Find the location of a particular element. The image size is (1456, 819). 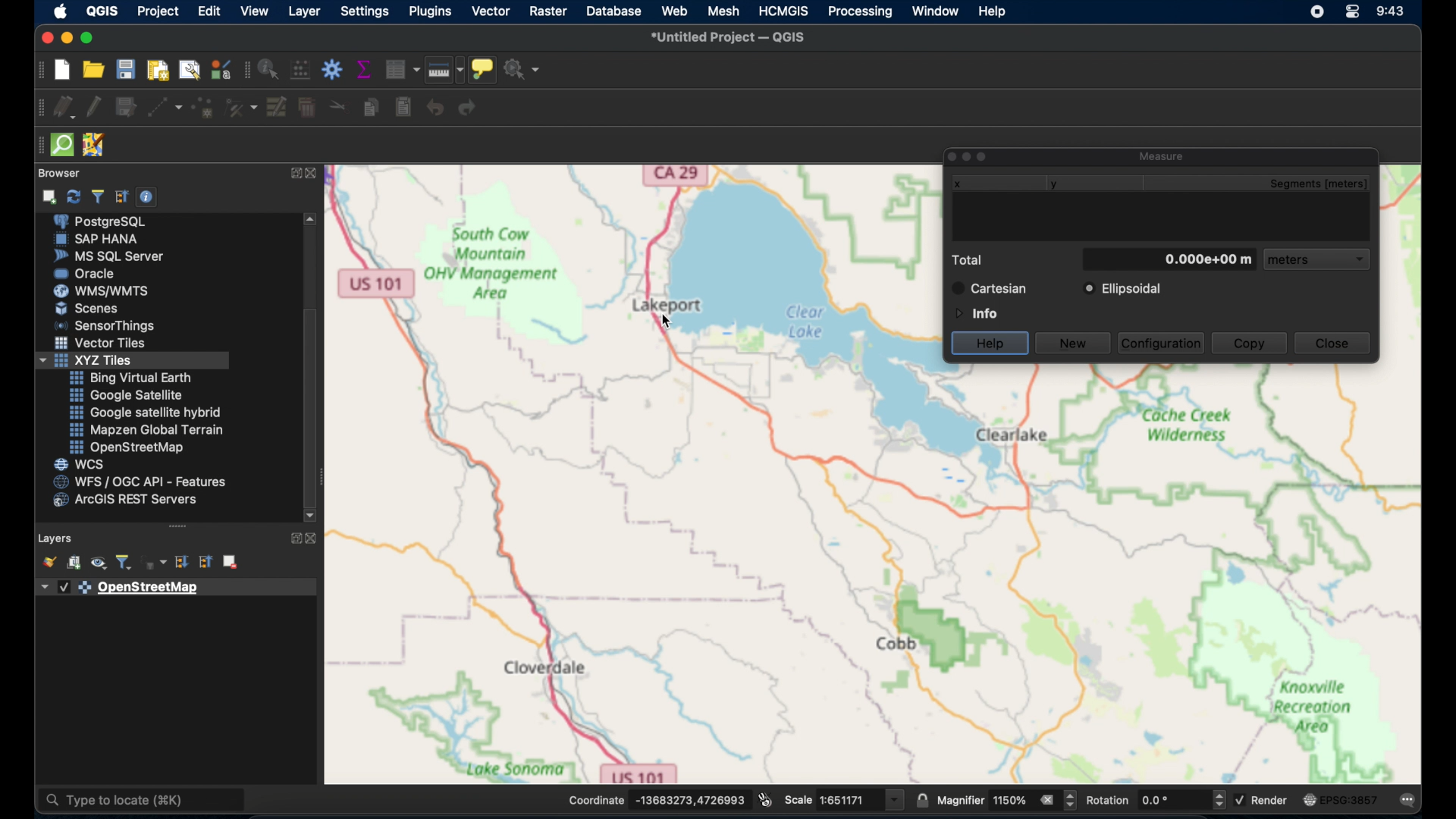

wcs is located at coordinates (80, 464).